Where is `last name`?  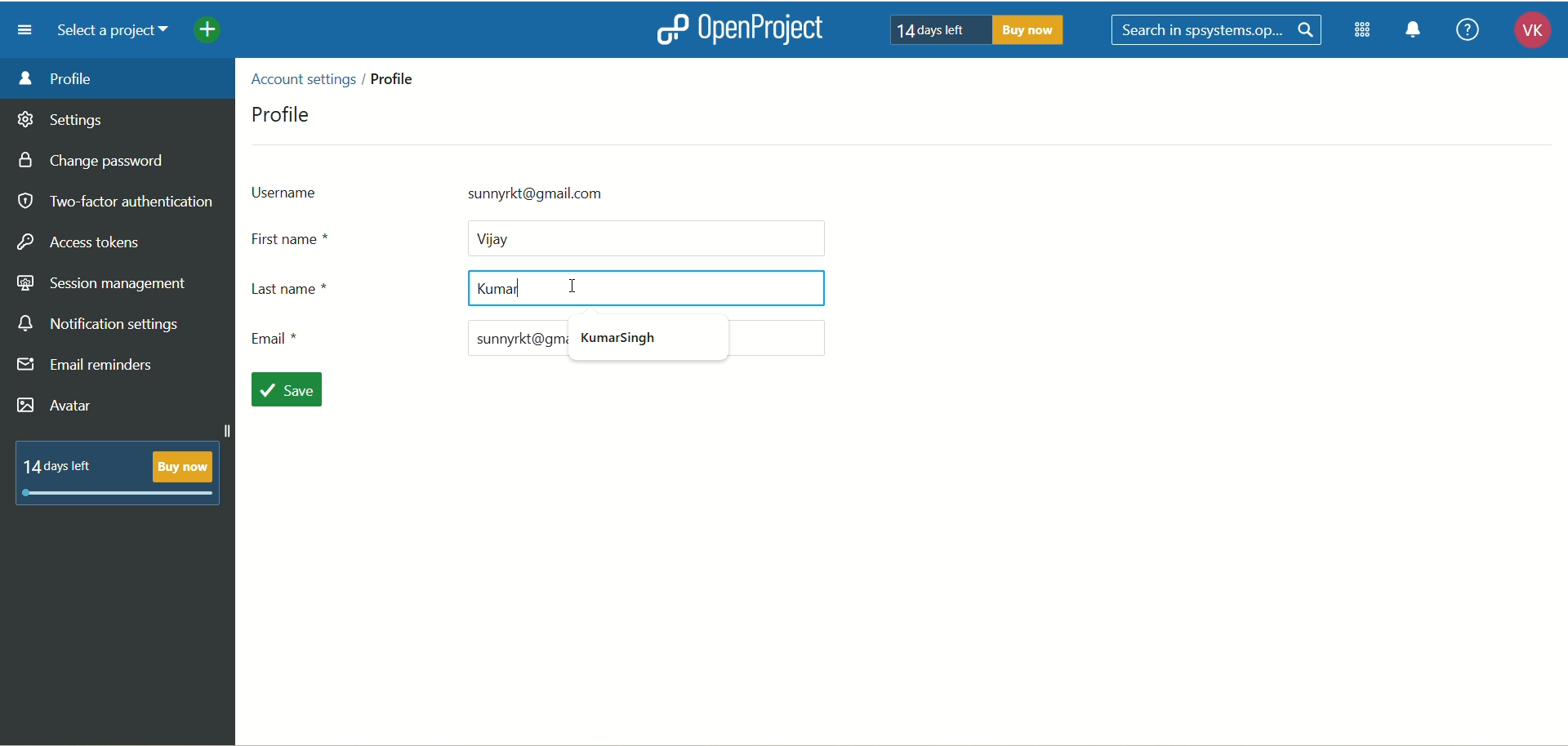 last name is located at coordinates (530, 291).